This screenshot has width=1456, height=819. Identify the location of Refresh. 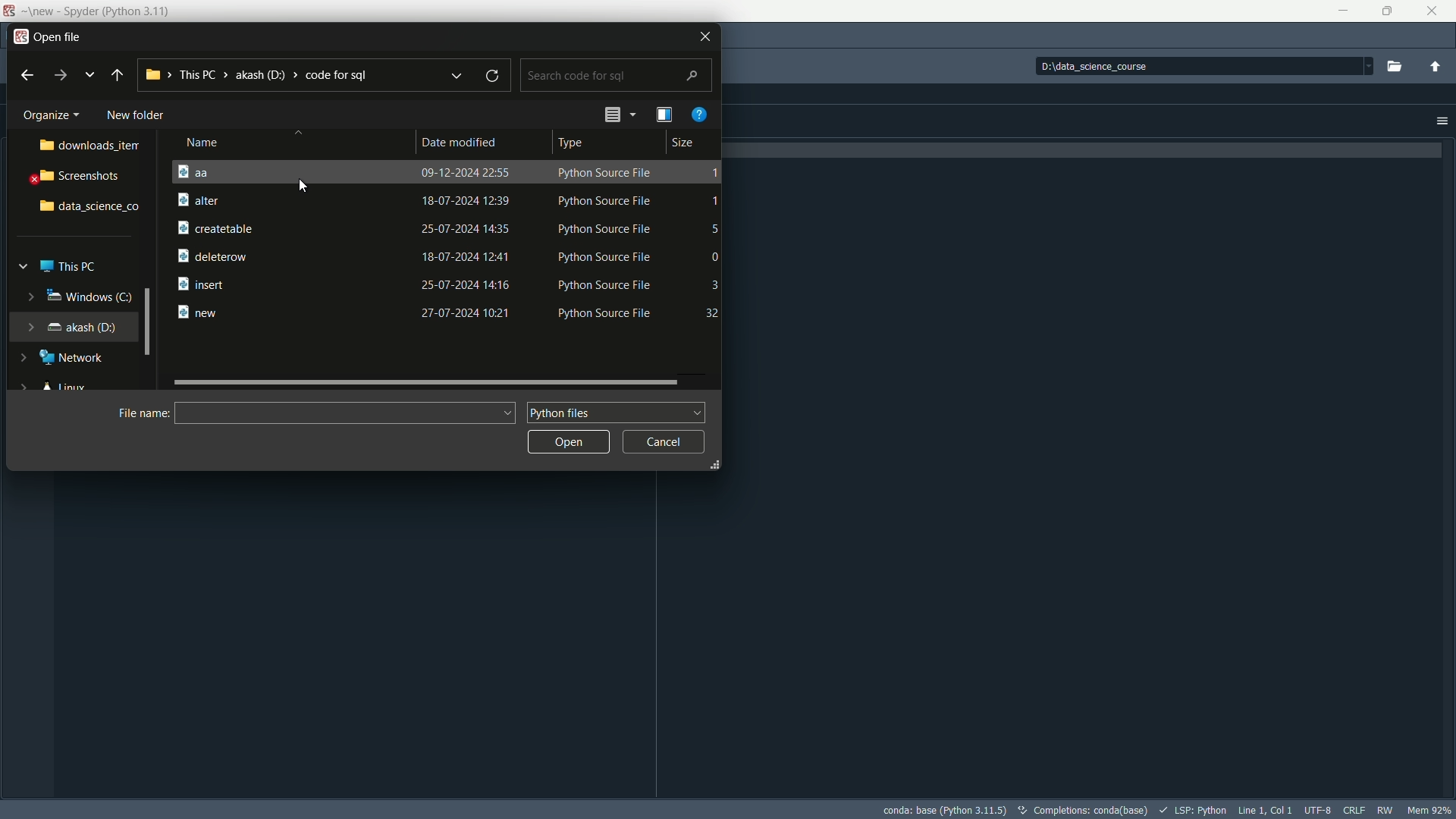
(492, 76).